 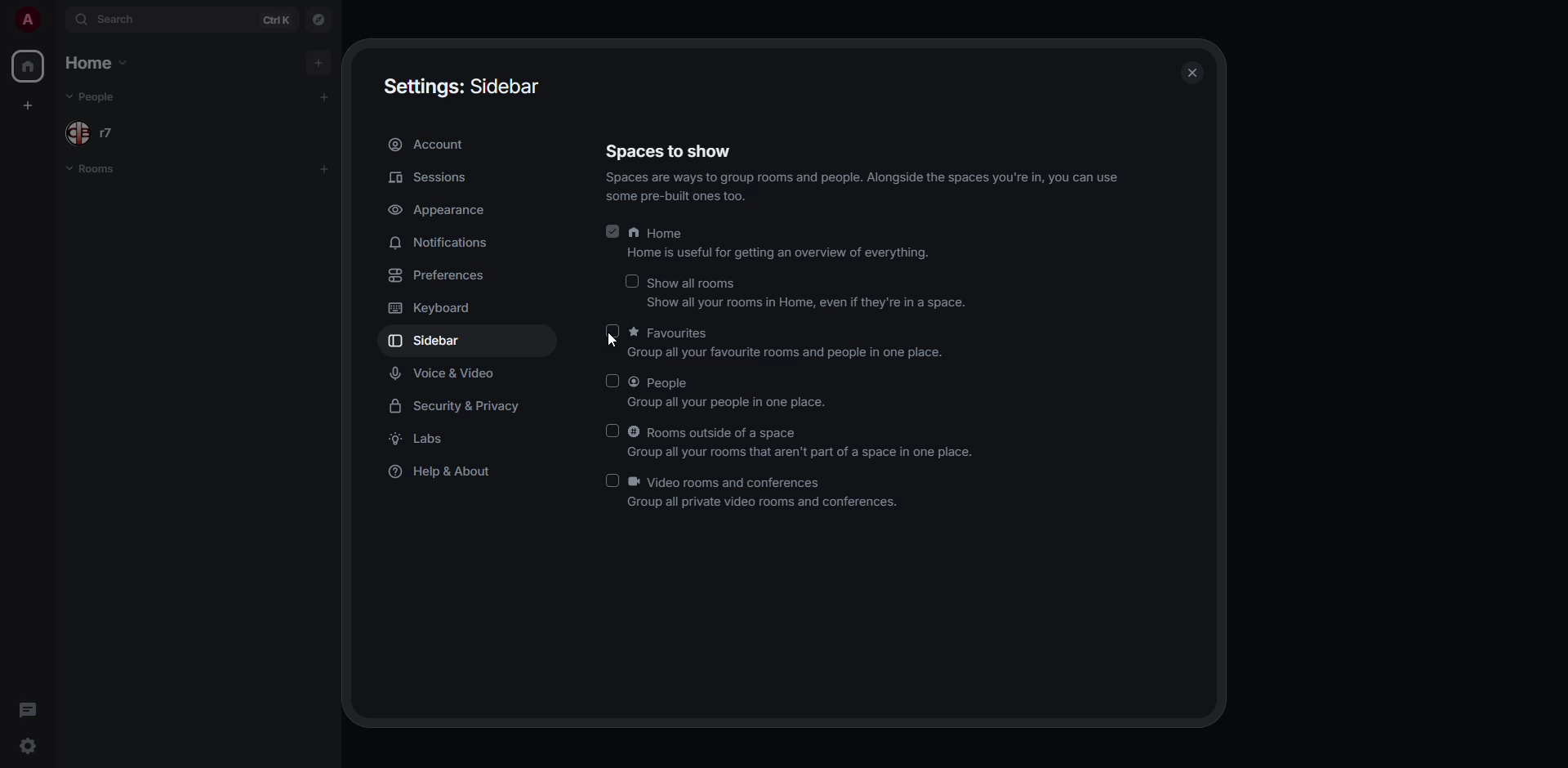 What do you see at coordinates (864, 187) in the screenshot?
I see `Spaces are ways to group rooms and people. Alongside the spaces you're in, you can use
‘some pre-built ones too.` at bounding box center [864, 187].